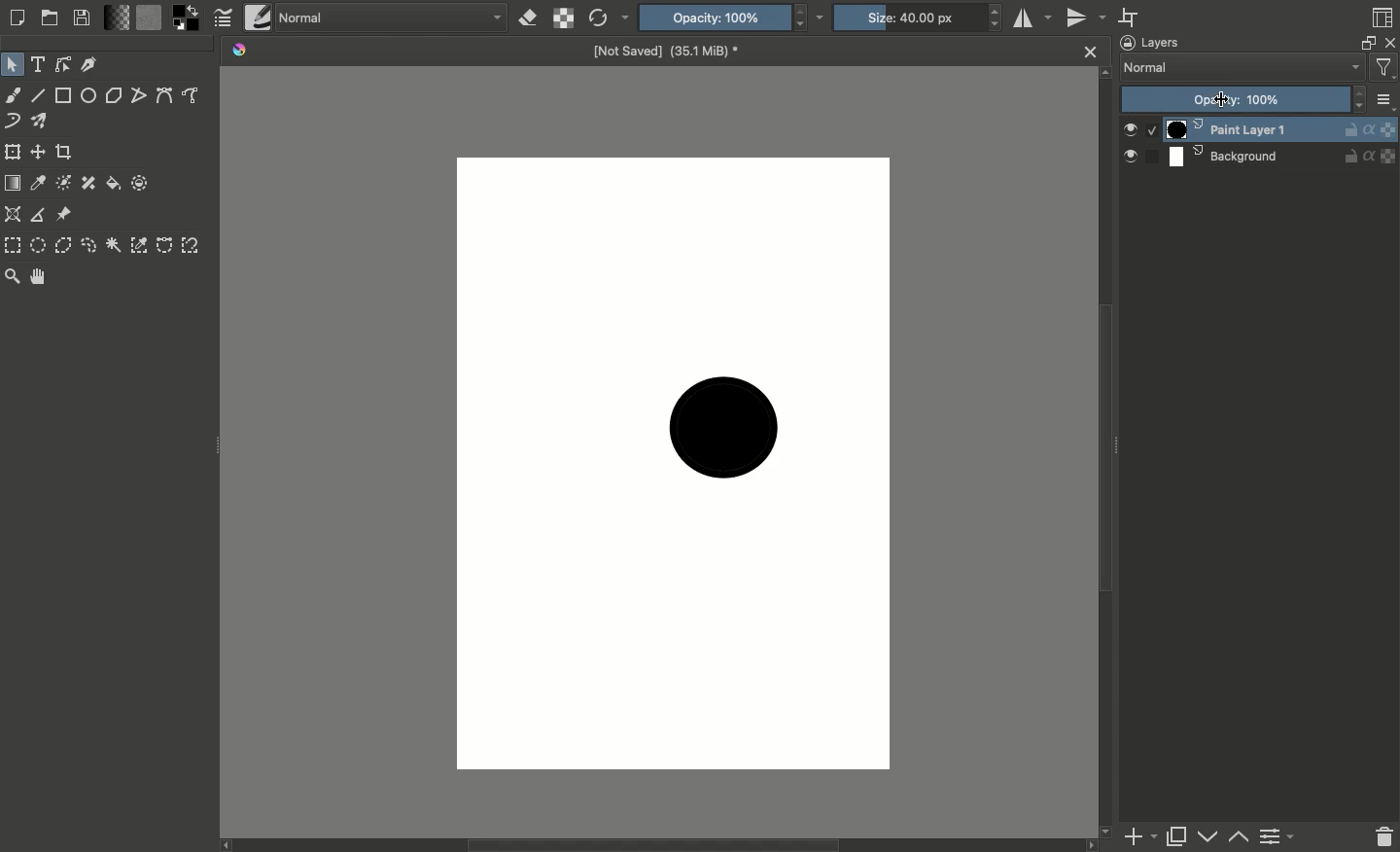 This screenshot has height=852, width=1400. I want to click on Freehand path , so click(192, 95).